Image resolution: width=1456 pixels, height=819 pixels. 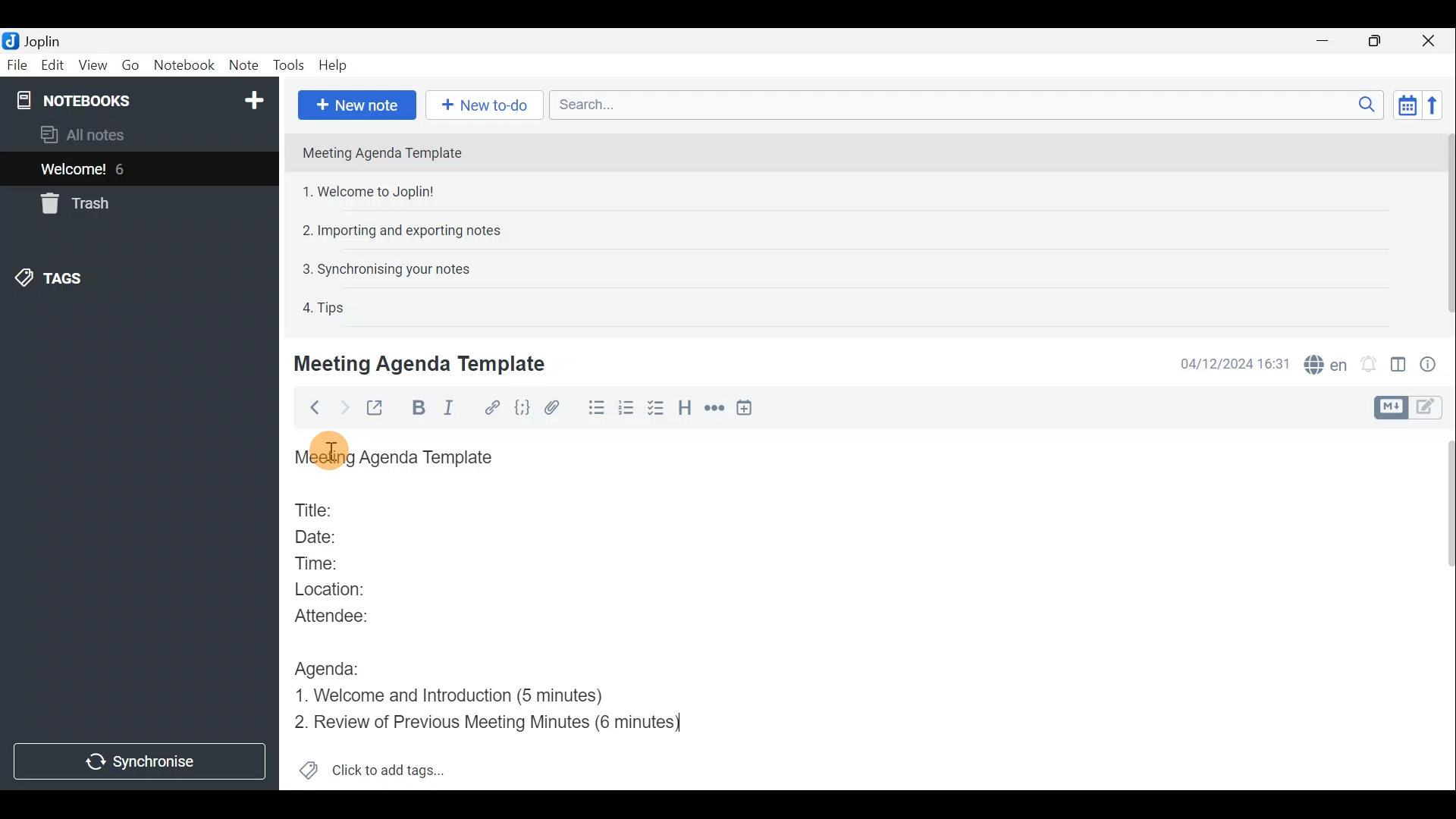 What do you see at coordinates (142, 99) in the screenshot?
I see `Notebooks` at bounding box center [142, 99].